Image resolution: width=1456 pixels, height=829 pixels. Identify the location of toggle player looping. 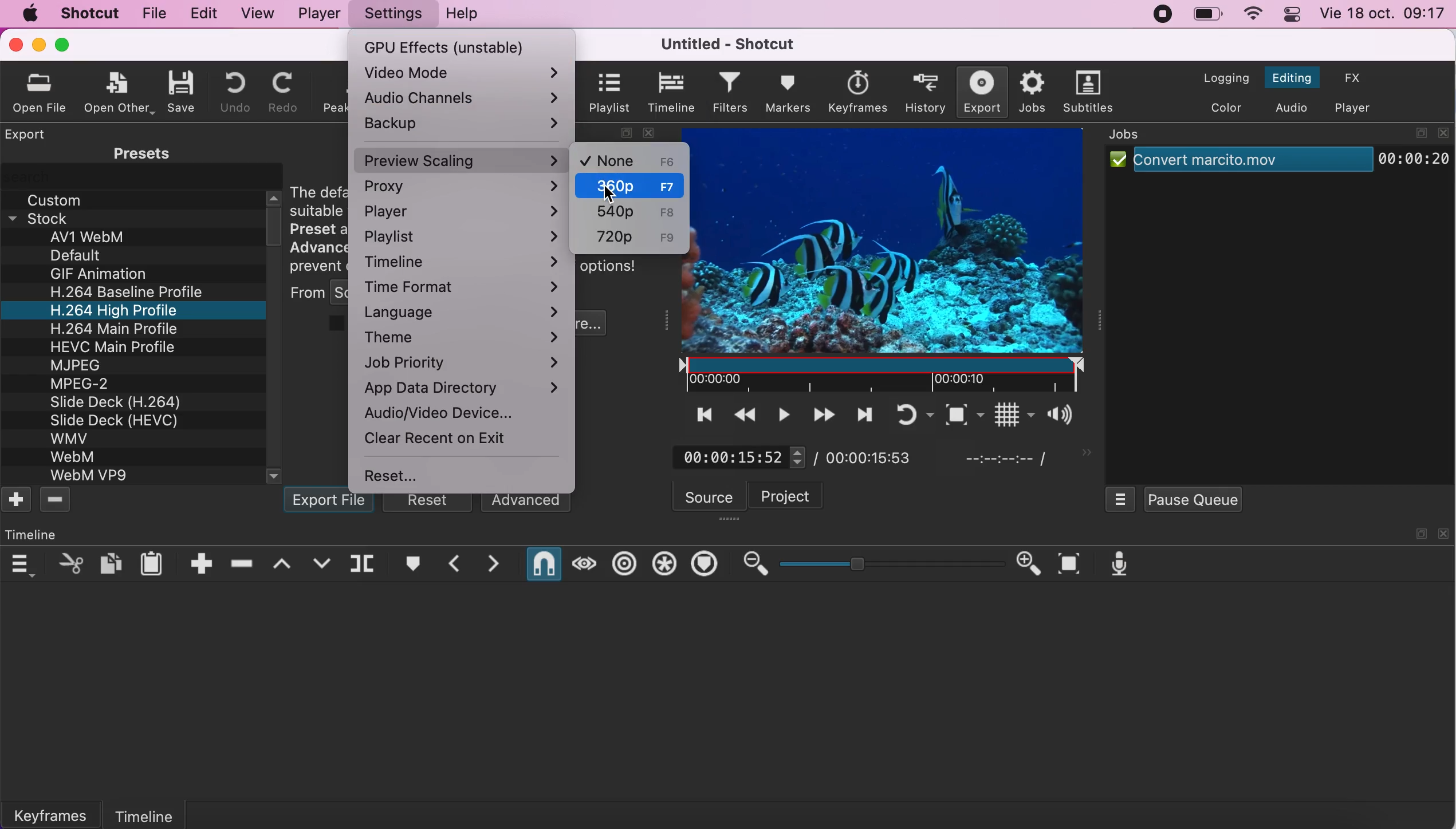
(902, 414).